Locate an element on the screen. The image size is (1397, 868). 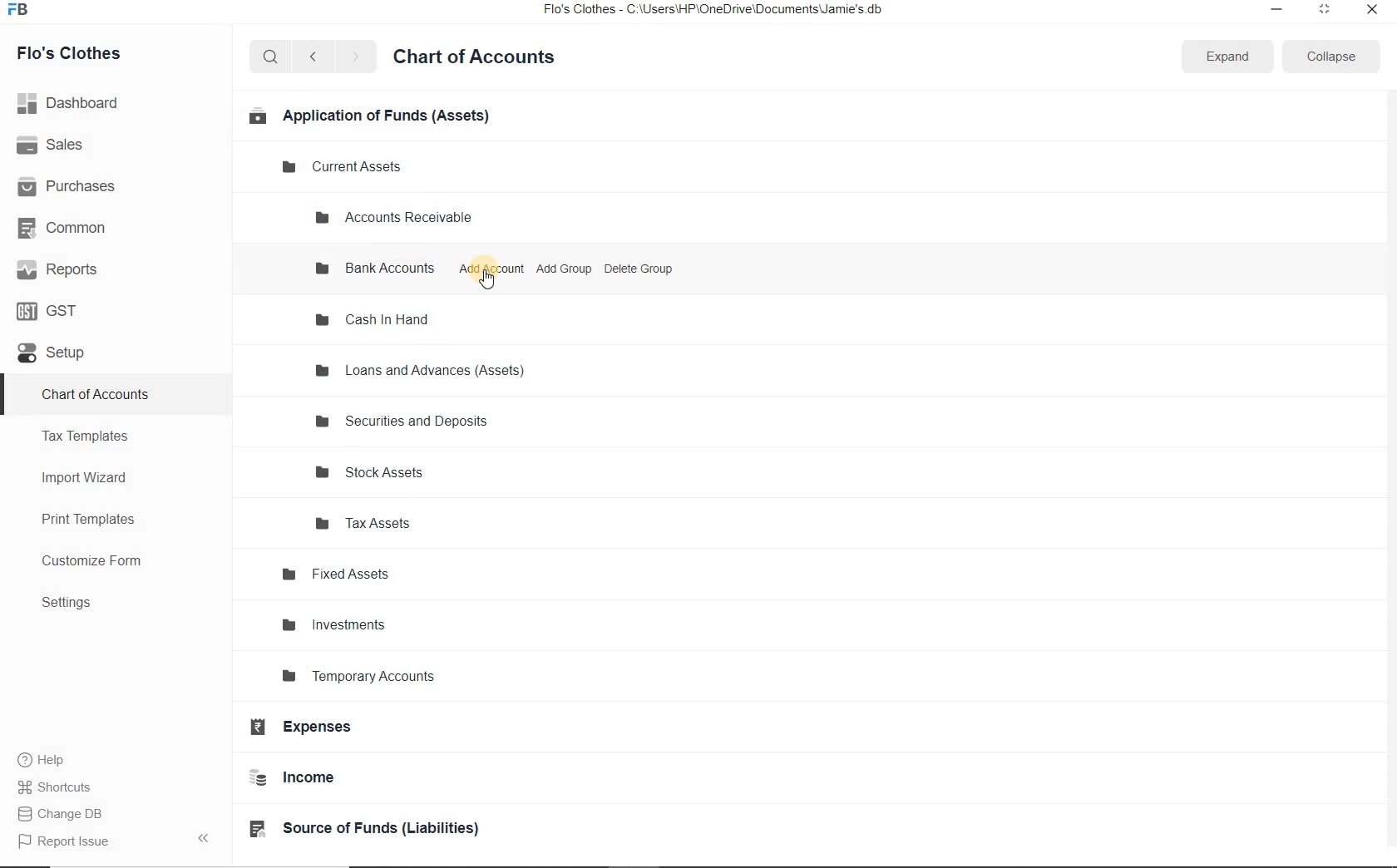
maximize is located at coordinates (1325, 8).